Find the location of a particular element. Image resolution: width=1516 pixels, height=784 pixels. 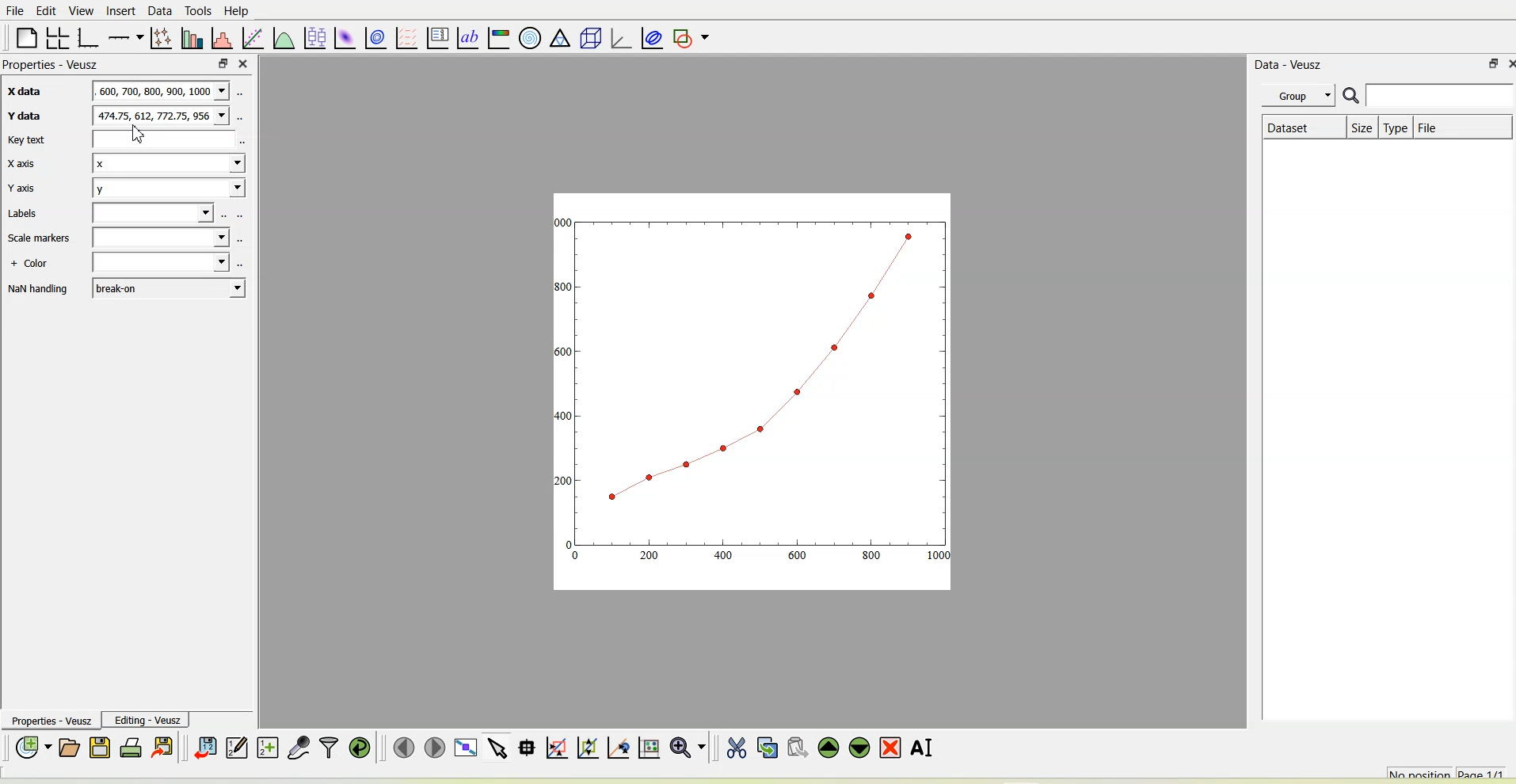

600,700,800,900,1000 is located at coordinates (160, 90).